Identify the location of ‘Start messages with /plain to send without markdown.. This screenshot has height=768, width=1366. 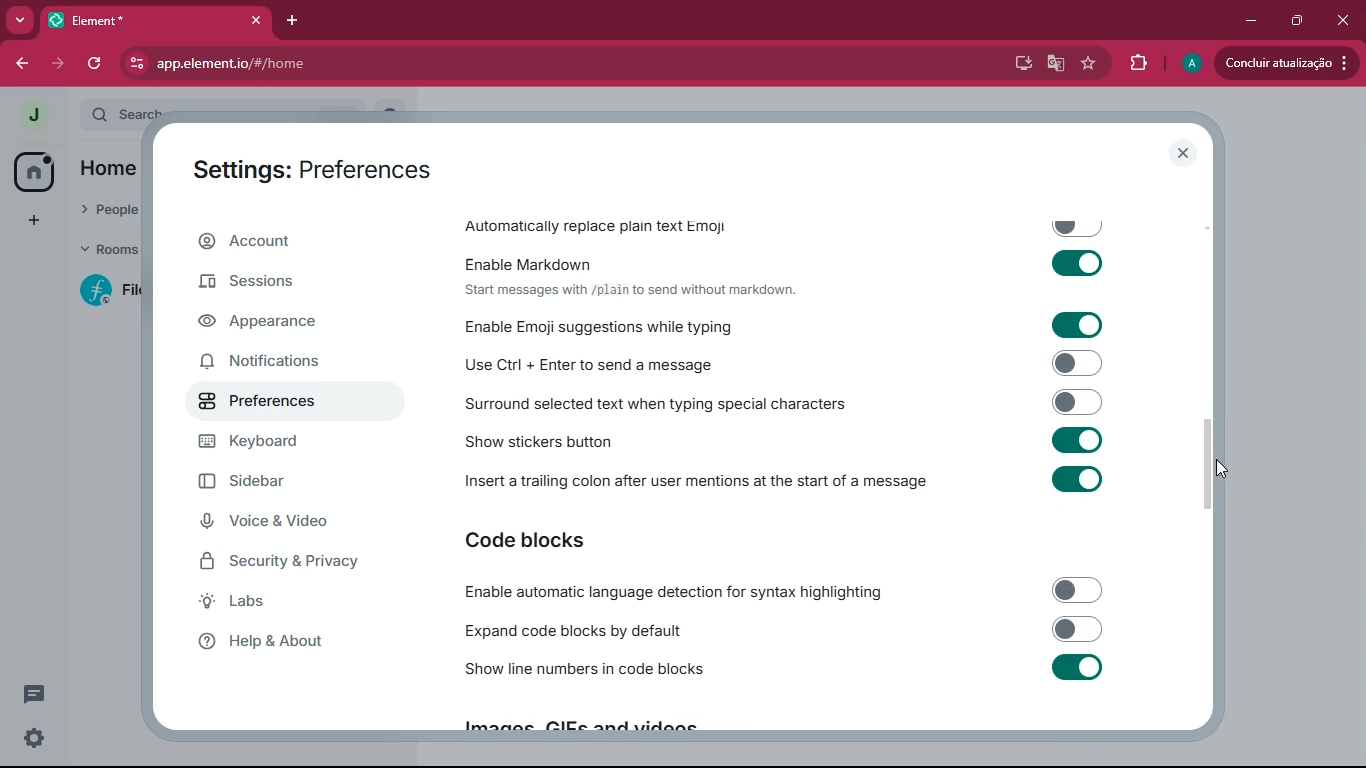
(638, 291).